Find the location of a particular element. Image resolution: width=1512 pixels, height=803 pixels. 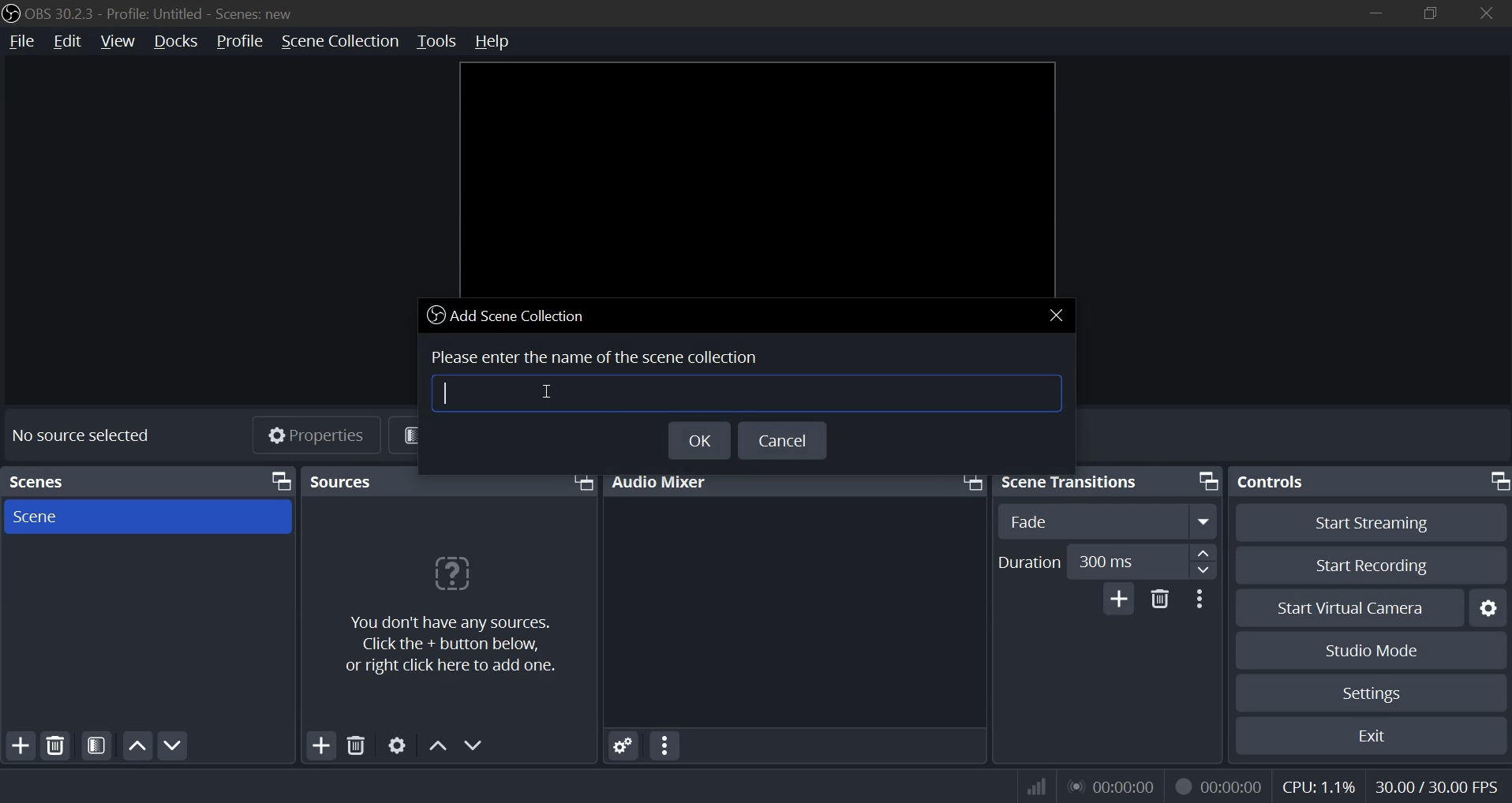

OBS 30.2.3 - Profile: Untitled - Scenes: new is located at coordinates (162, 13).